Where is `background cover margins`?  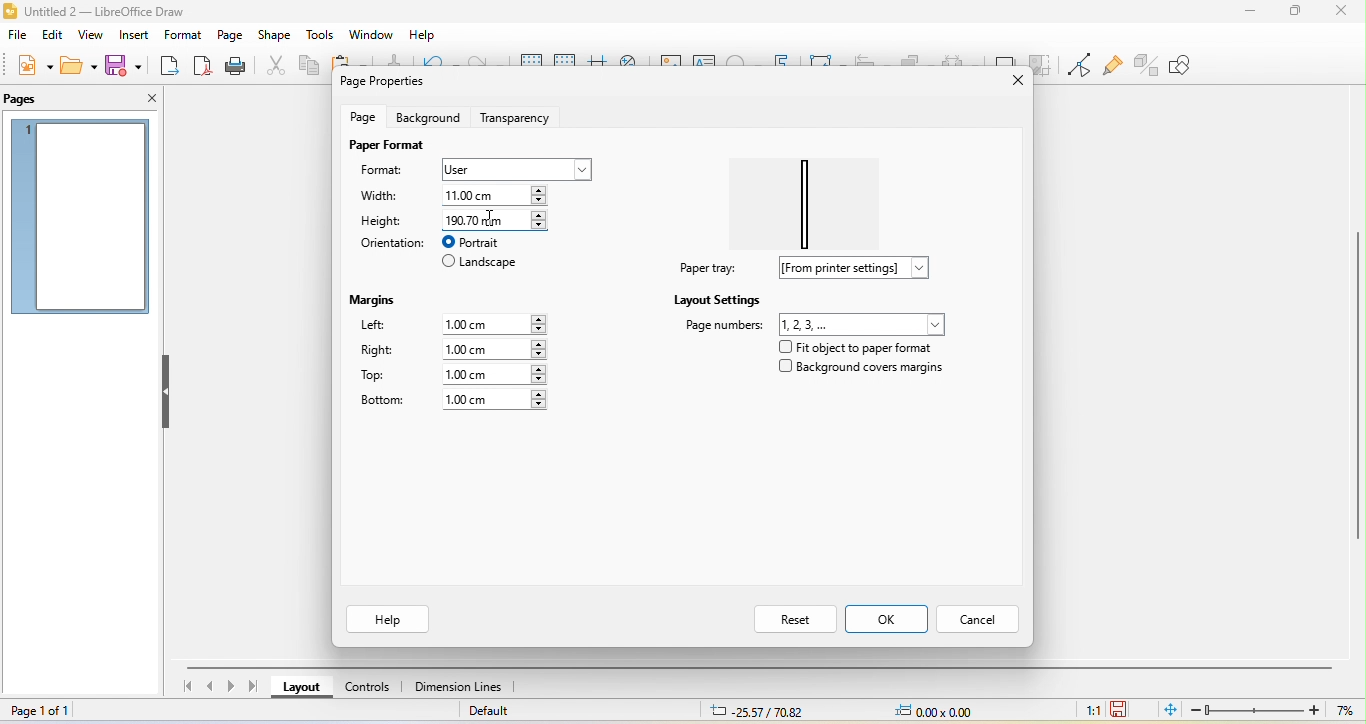 background cover margins is located at coordinates (862, 371).